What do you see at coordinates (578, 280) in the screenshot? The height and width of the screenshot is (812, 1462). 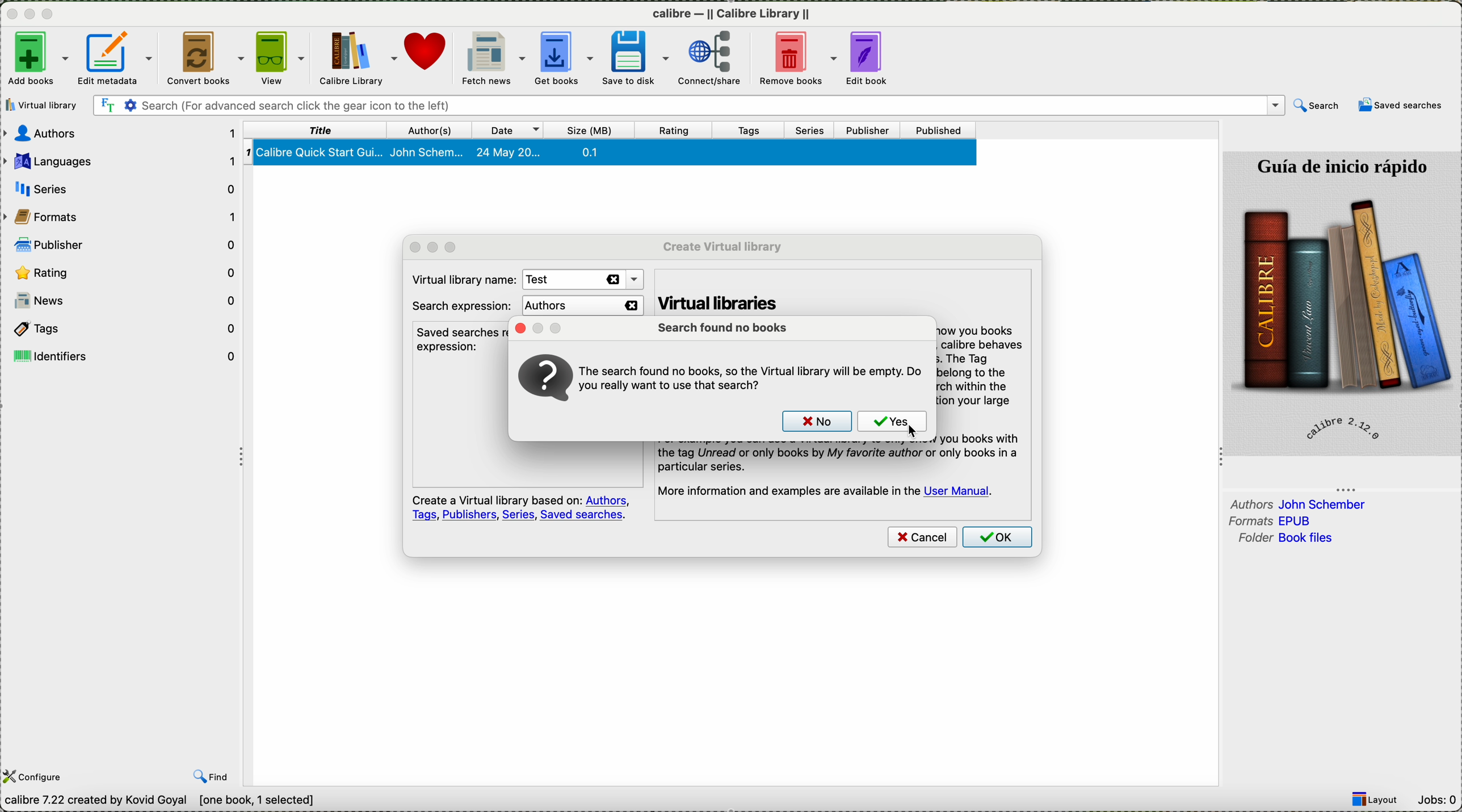 I see `test name` at bounding box center [578, 280].